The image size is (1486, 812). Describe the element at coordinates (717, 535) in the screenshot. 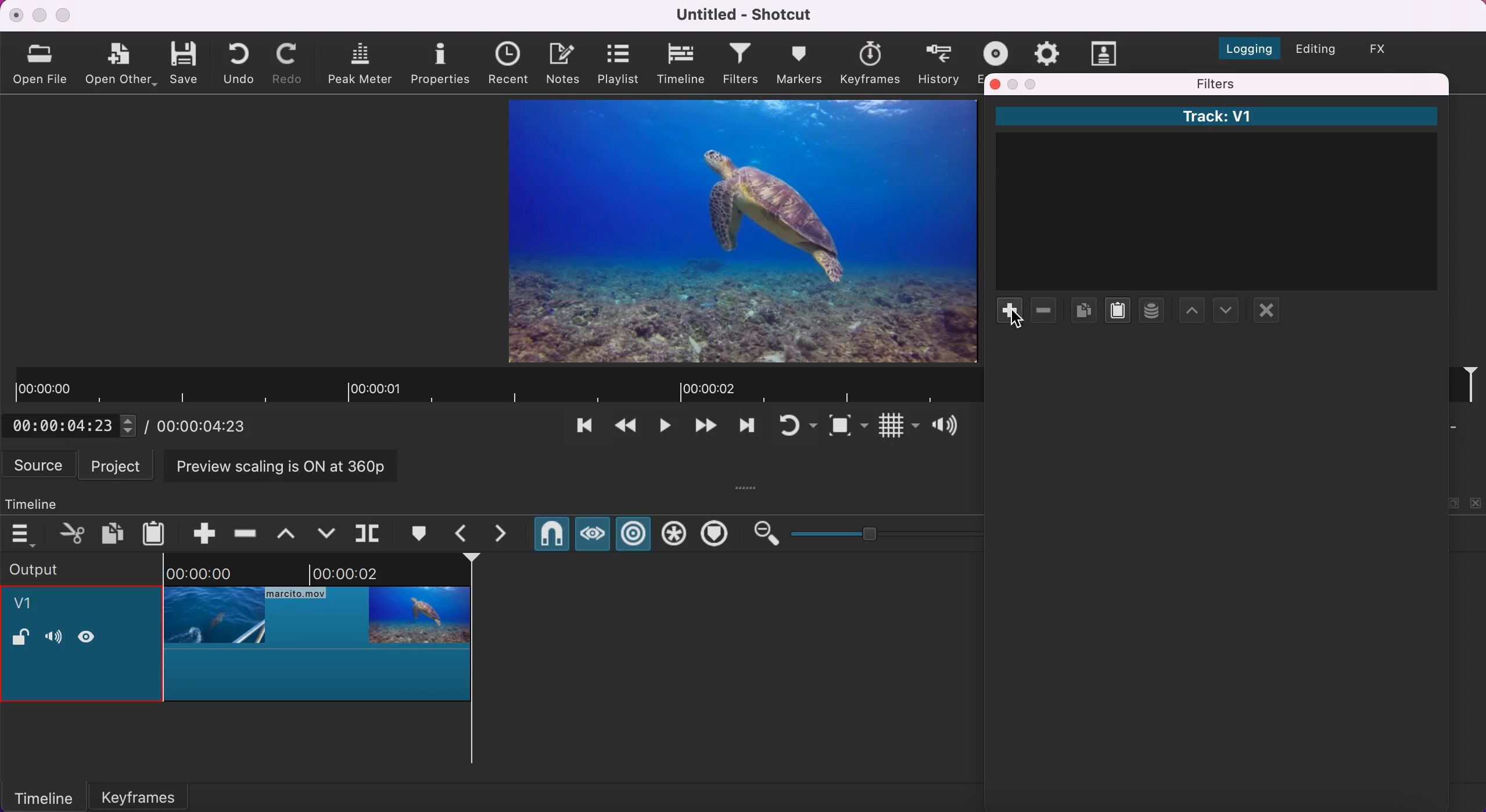

I see `ripple markers` at that location.